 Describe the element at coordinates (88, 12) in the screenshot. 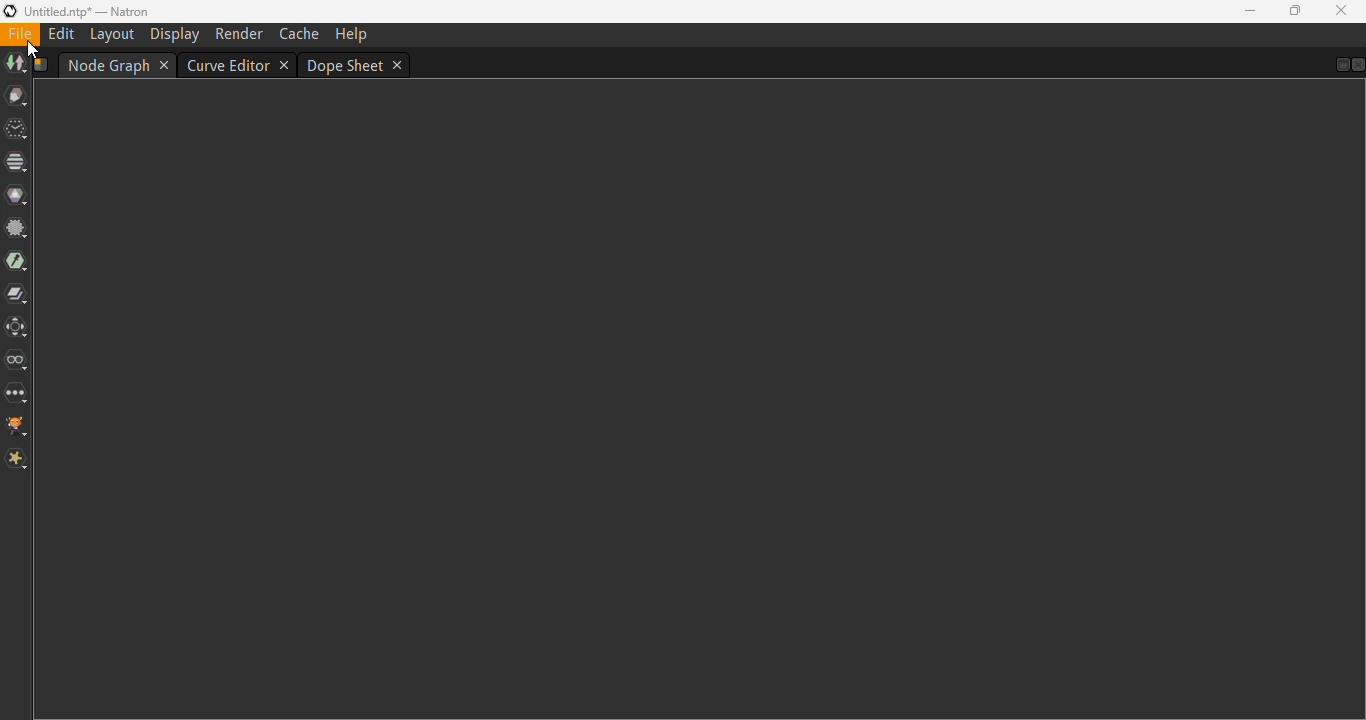

I see `title` at that location.